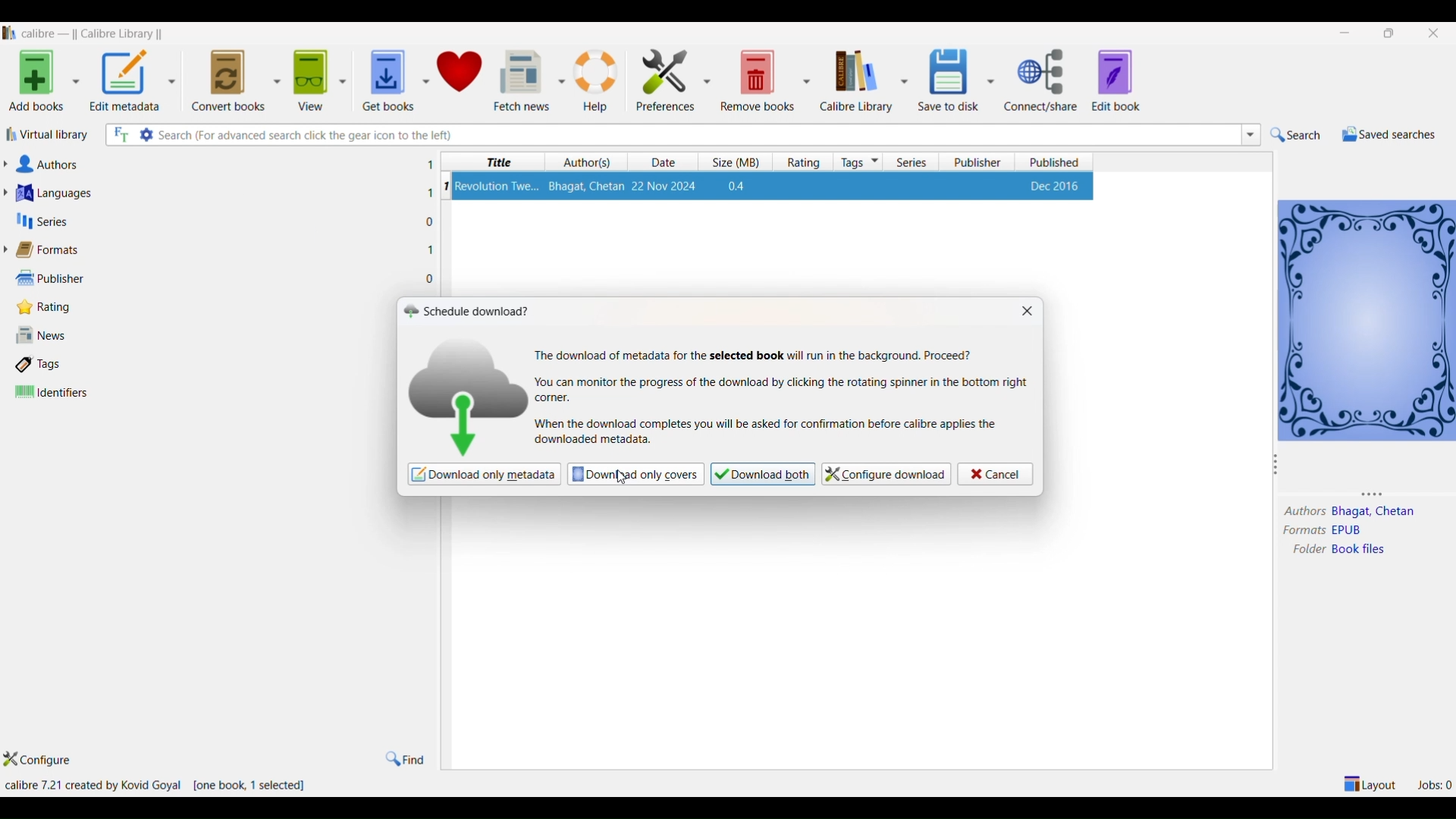 The width and height of the screenshot is (1456, 819). I want to click on add books, so click(33, 83).